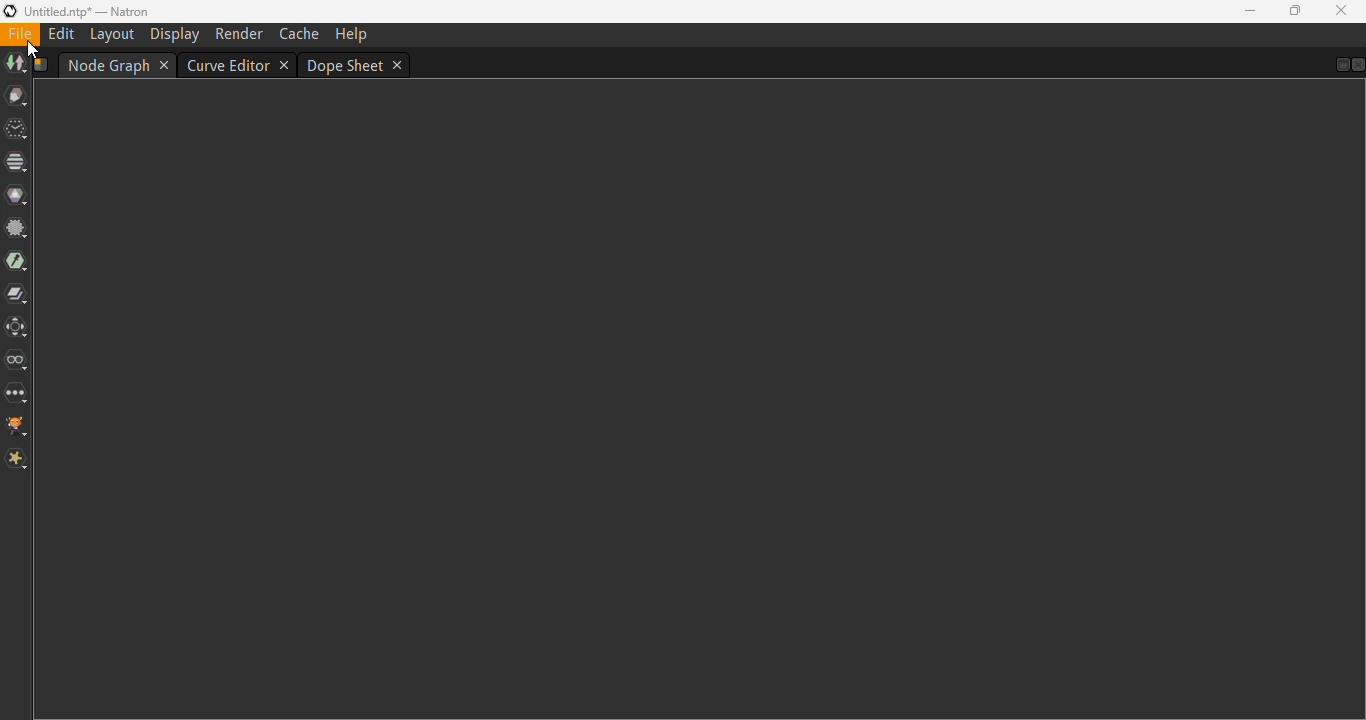 The height and width of the screenshot is (720, 1366). What do you see at coordinates (166, 65) in the screenshot?
I see `close tab` at bounding box center [166, 65].